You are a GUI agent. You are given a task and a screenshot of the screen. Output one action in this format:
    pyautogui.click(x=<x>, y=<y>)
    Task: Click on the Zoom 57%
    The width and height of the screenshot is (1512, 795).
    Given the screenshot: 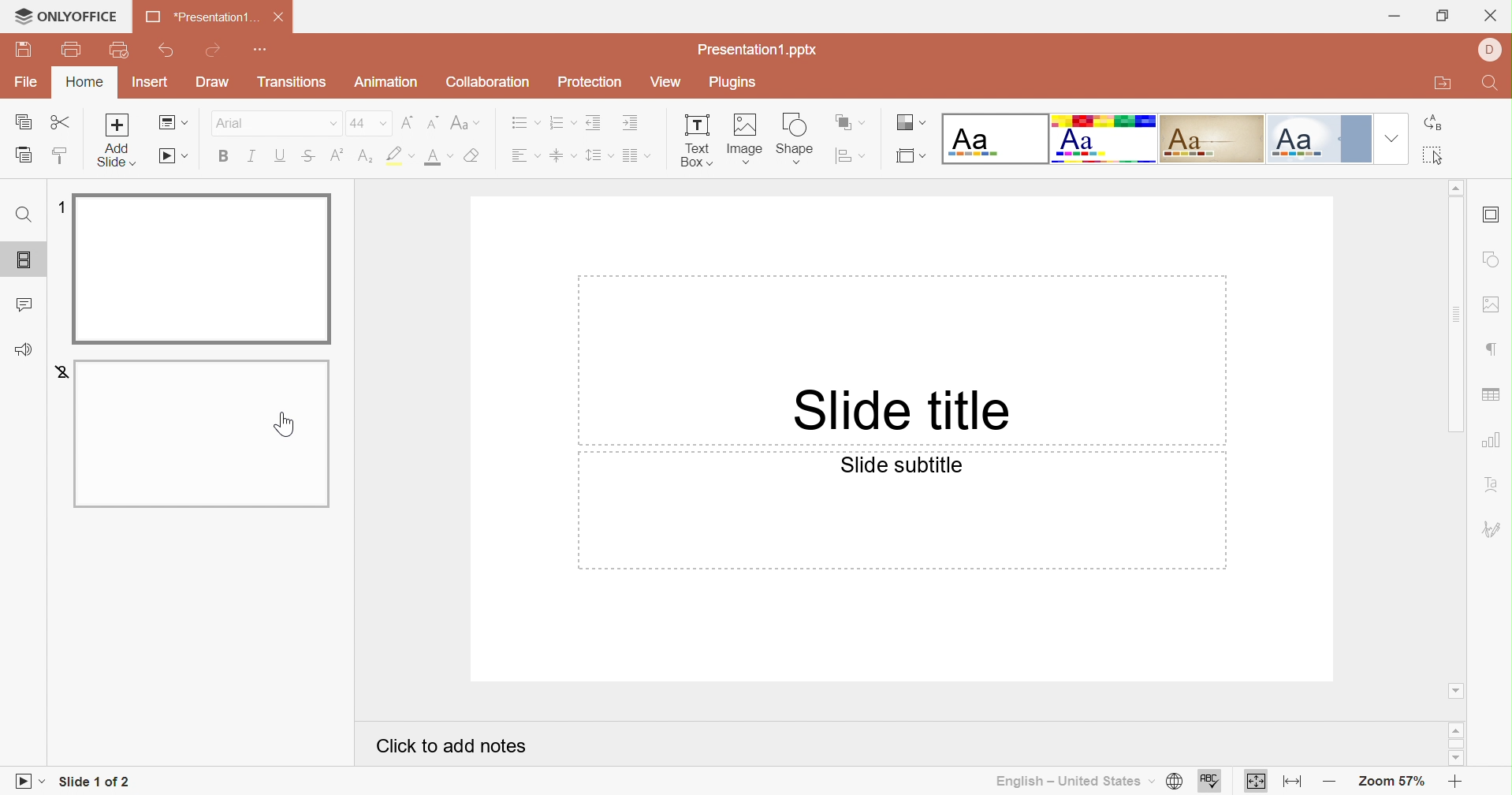 What is the action you would take?
    pyautogui.click(x=1387, y=782)
    